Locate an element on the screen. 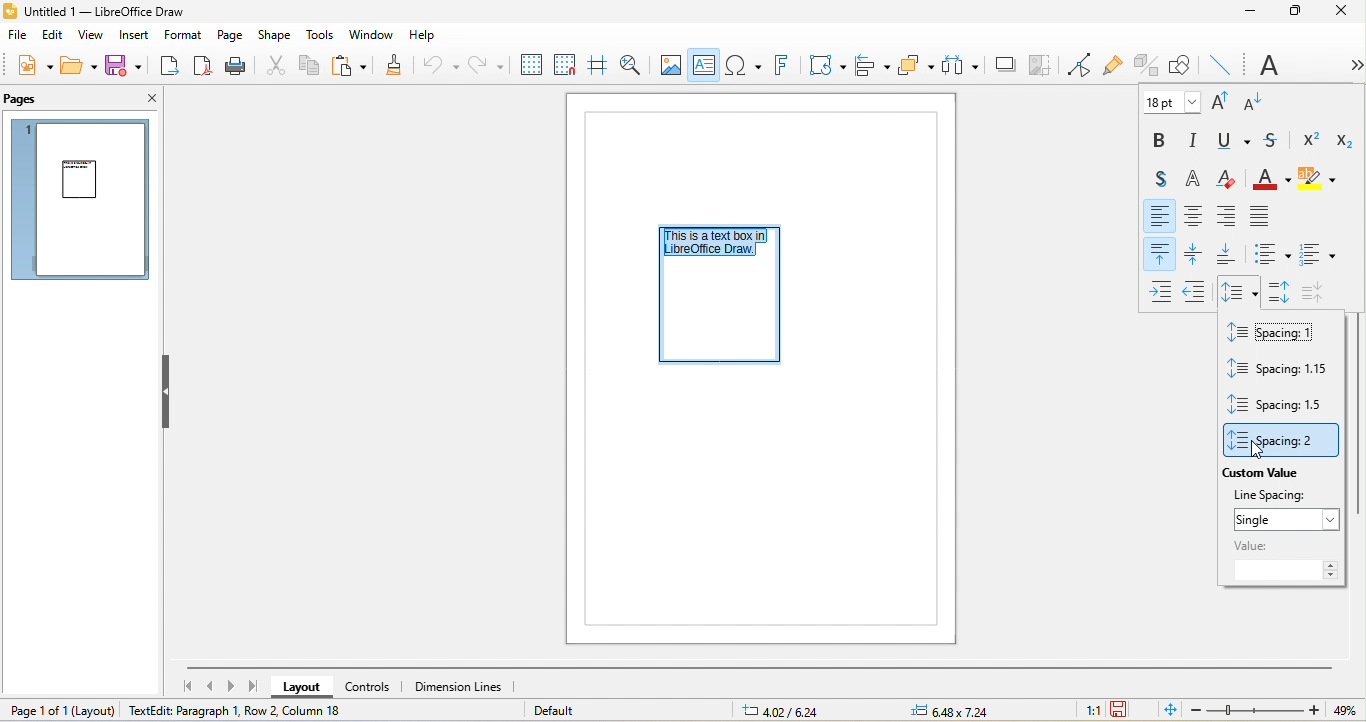 This screenshot has width=1366, height=722. insert is located at coordinates (137, 37).